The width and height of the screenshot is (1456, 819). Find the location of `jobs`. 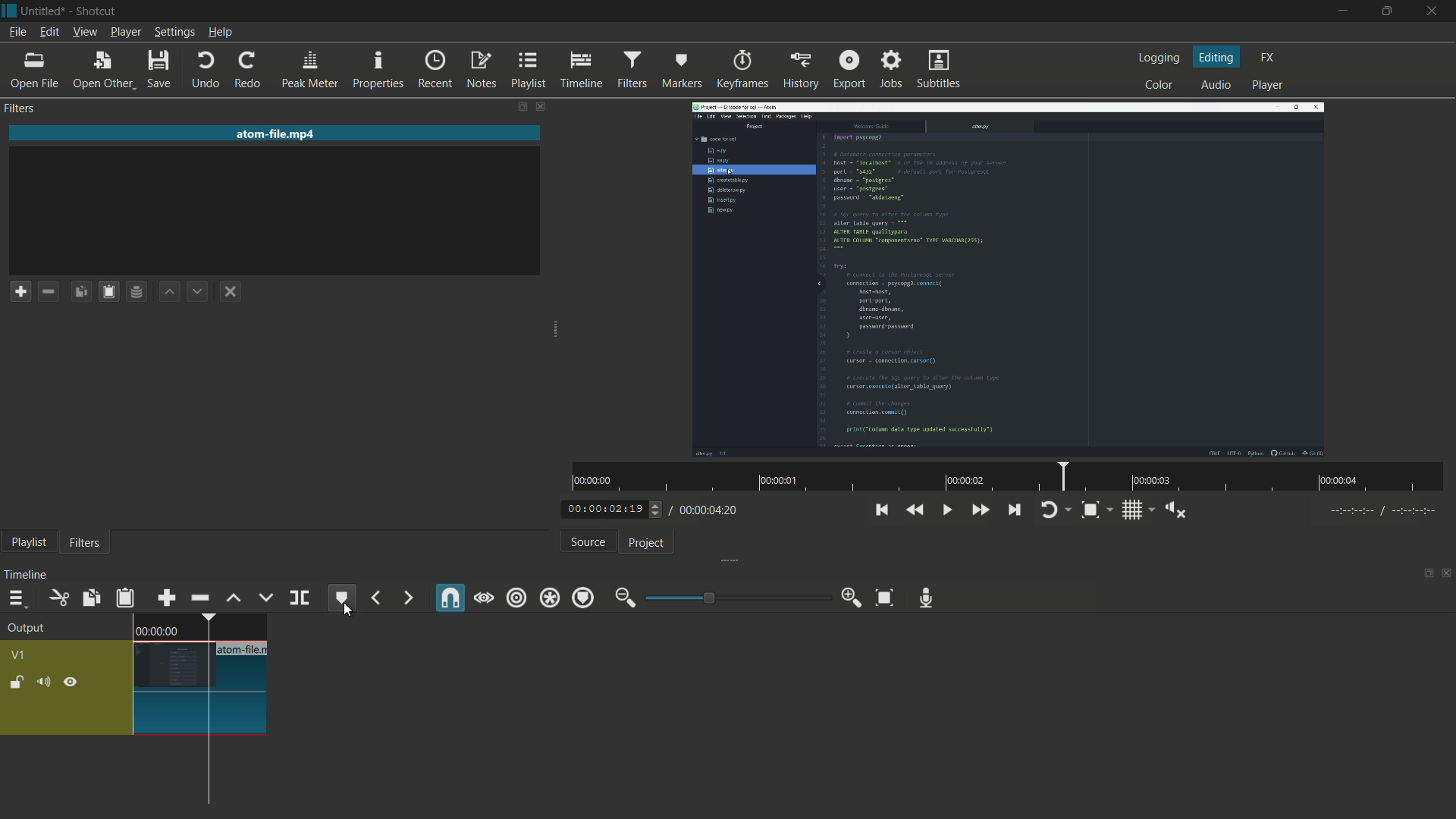

jobs is located at coordinates (891, 69).